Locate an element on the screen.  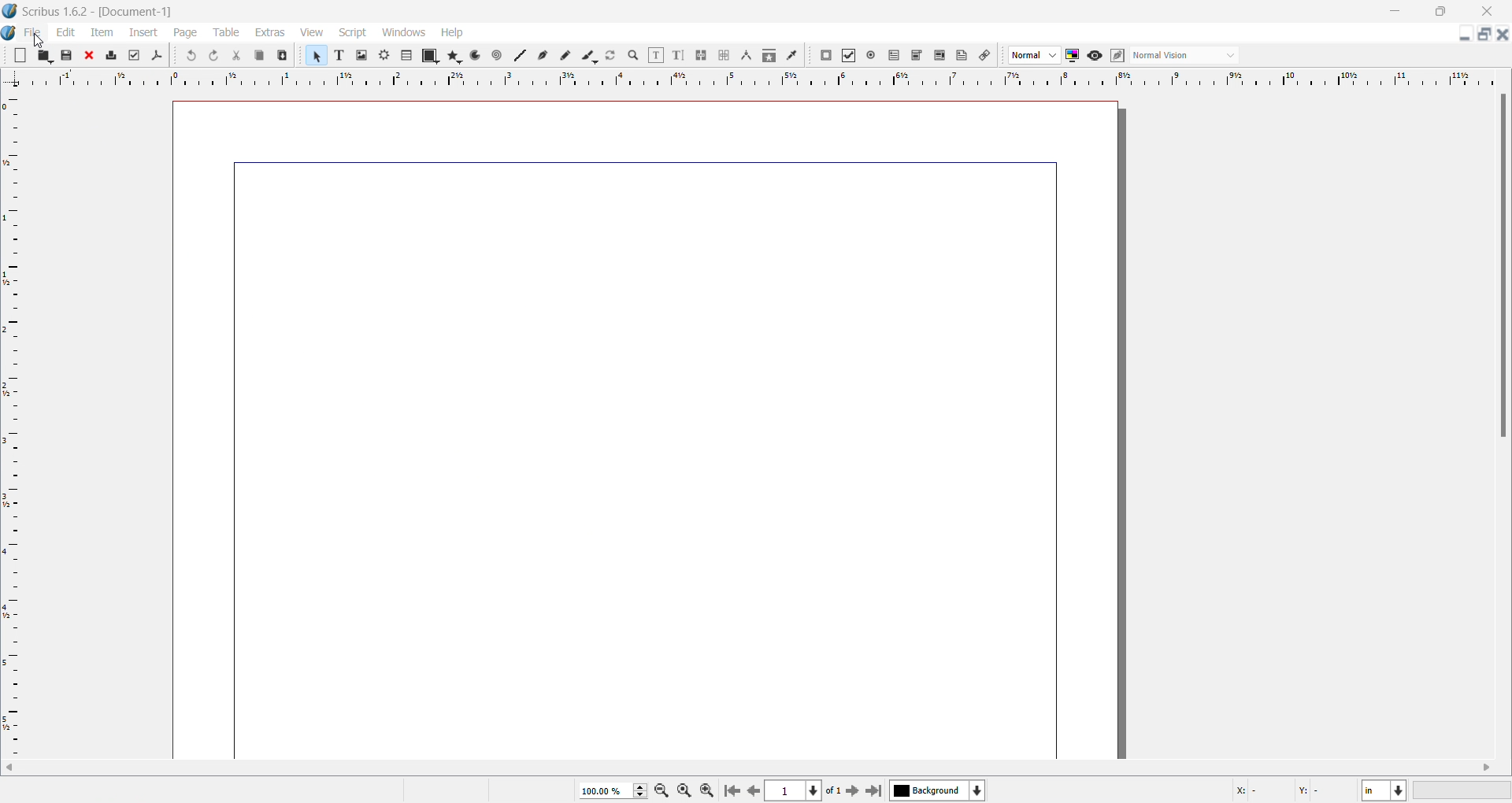
icon is located at coordinates (408, 56).